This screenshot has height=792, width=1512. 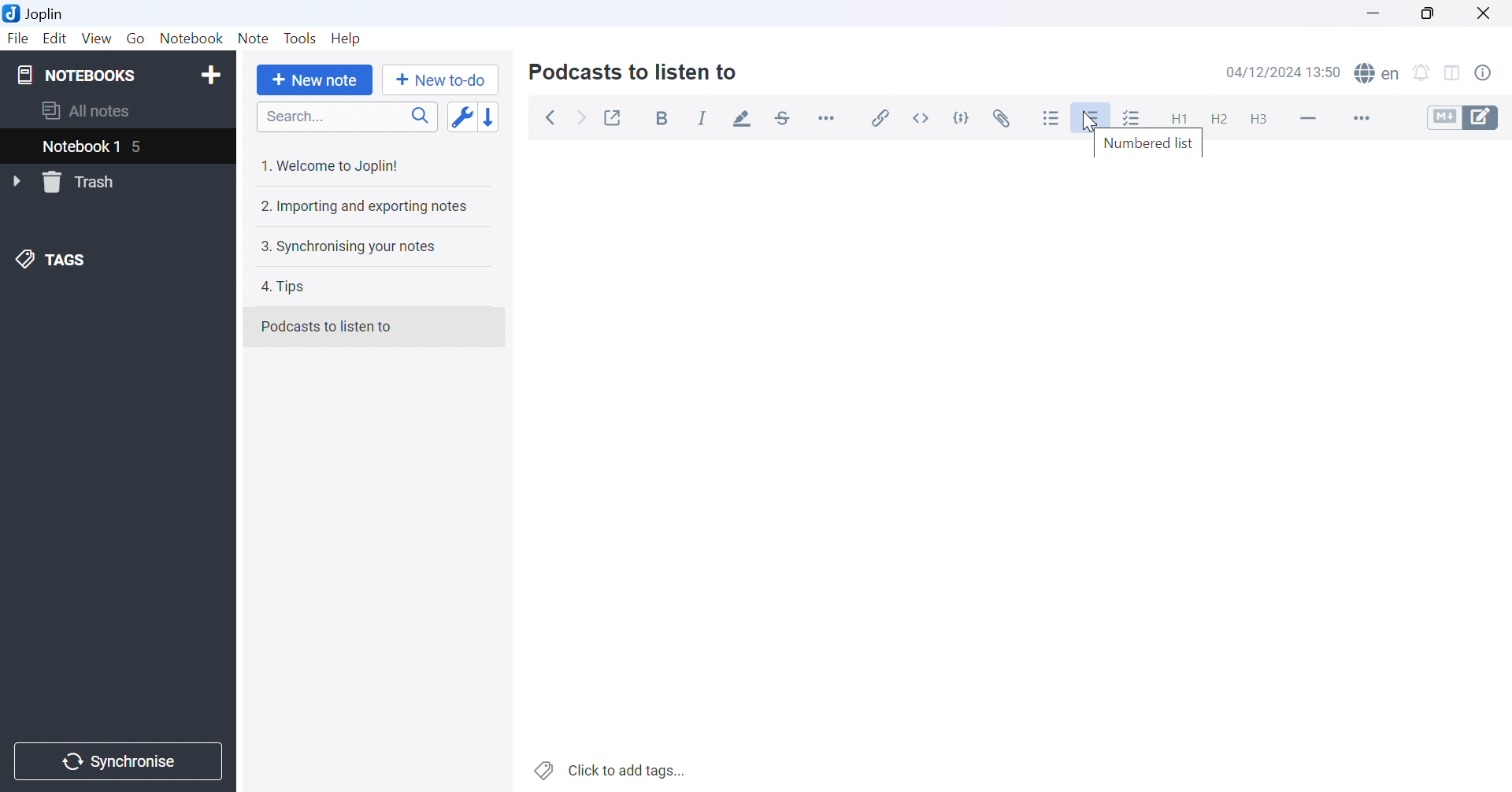 I want to click on New to-do, so click(x=445, y=80).